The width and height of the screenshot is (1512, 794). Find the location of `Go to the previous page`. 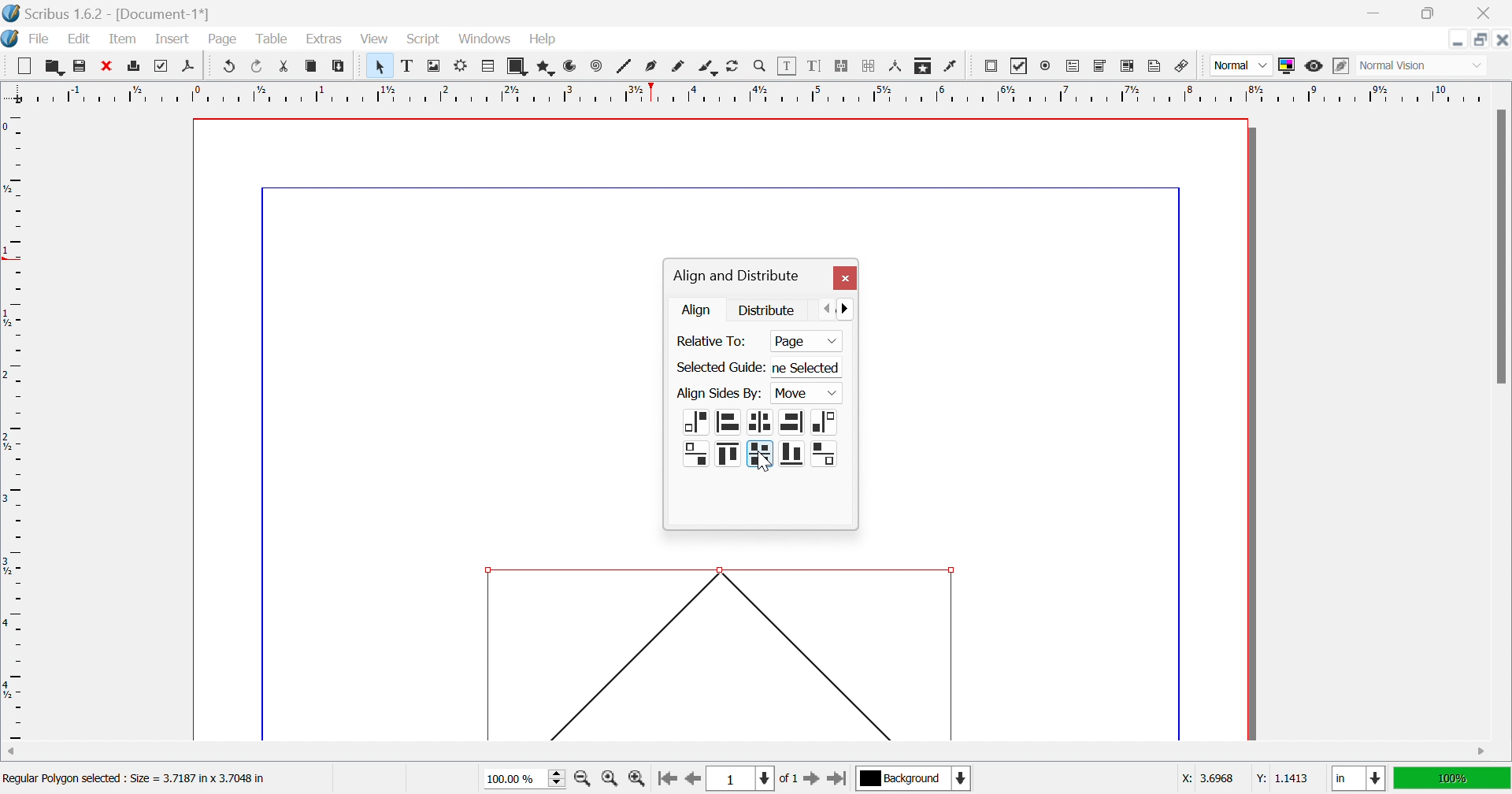

Go to the previous page is located at coordinates (691, 784).